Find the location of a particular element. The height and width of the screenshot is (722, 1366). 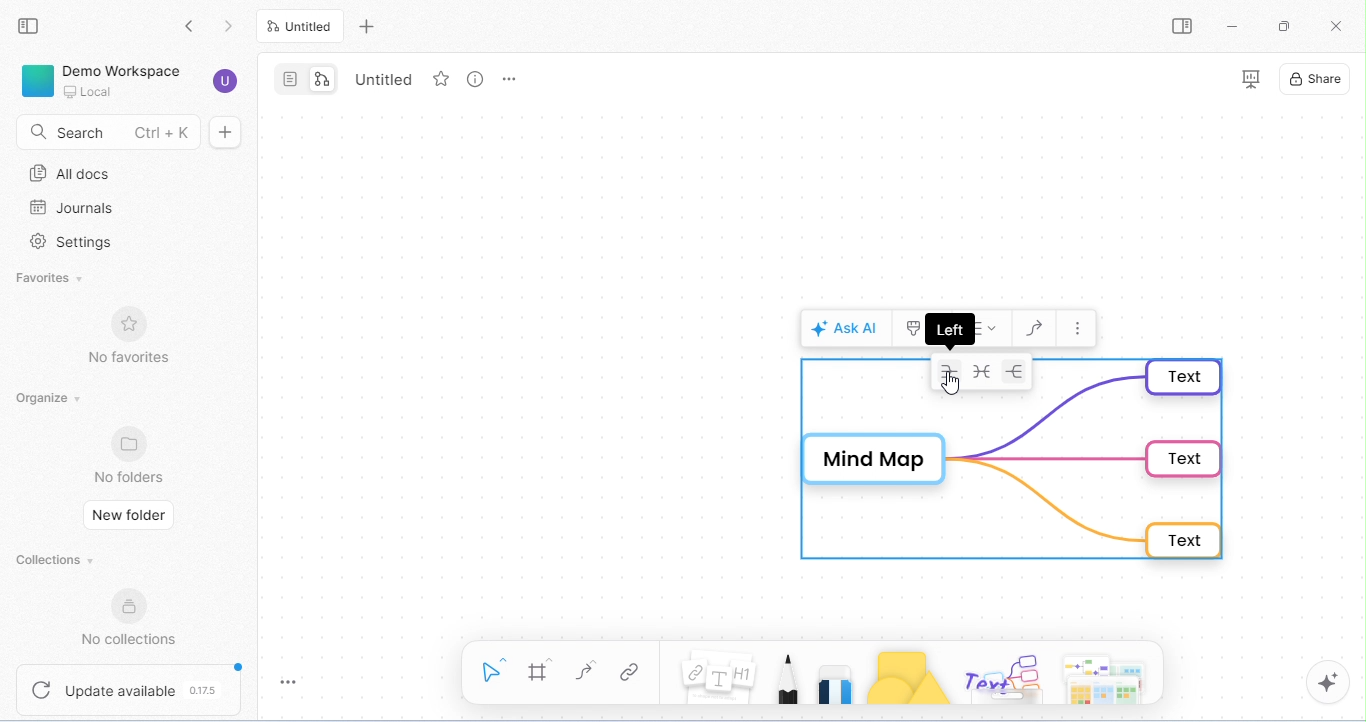

untitled tab is located at coordinates (303, 26).